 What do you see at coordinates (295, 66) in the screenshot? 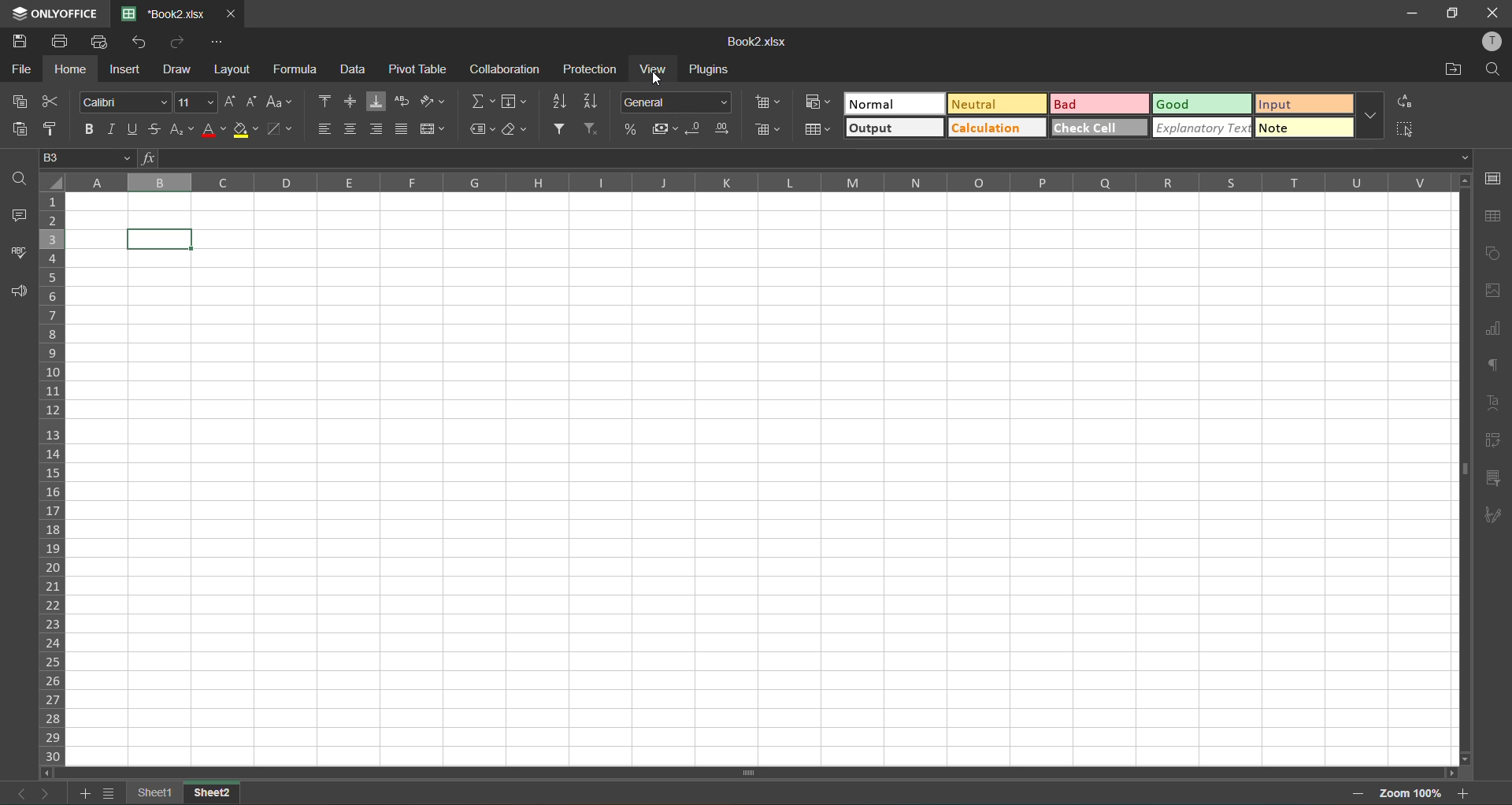
I see `formula` at bounding box center [295, 66].